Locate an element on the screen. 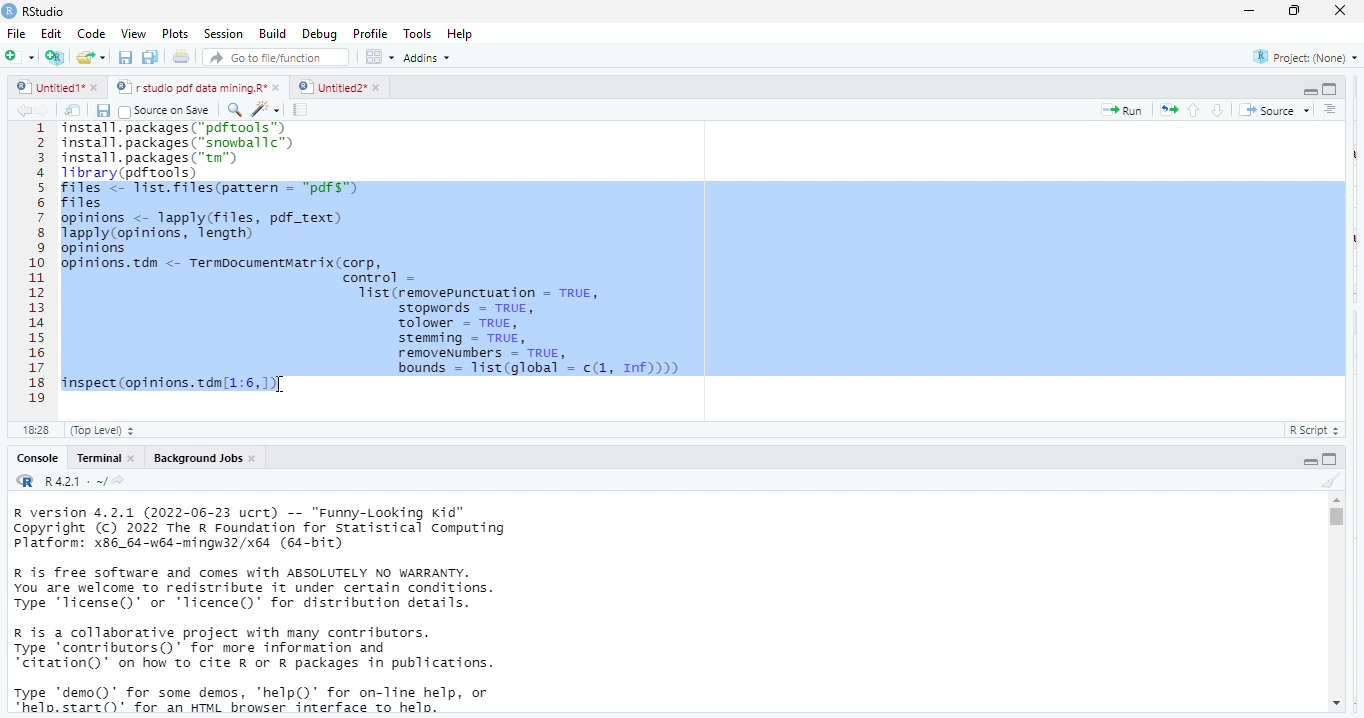  project (none) is located at coordinates (1300, 57).